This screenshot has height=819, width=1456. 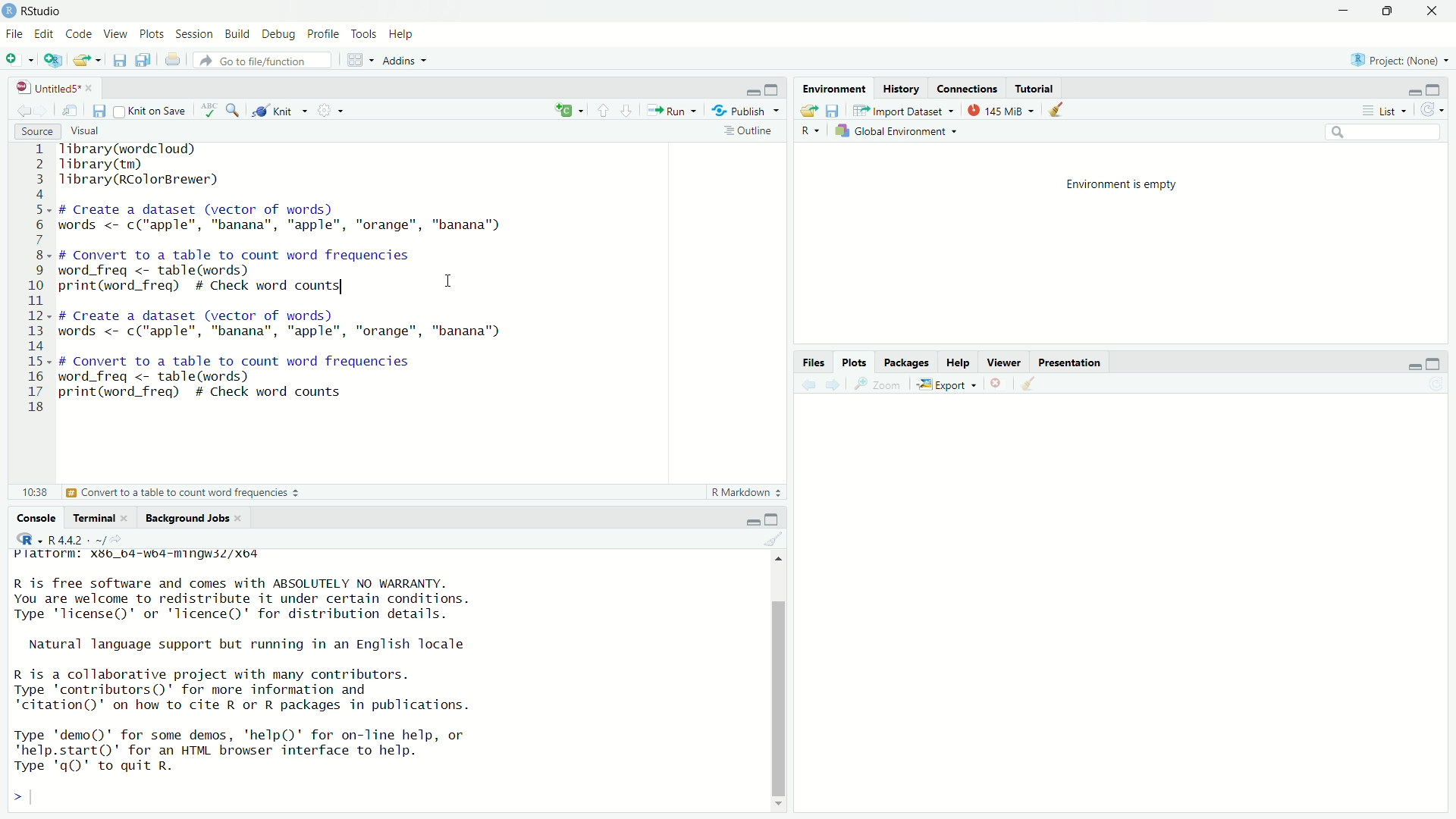 What do you see at coordinates (31, 491) in the screenshot?
I see `18:1` at bounding box center [31, 491].